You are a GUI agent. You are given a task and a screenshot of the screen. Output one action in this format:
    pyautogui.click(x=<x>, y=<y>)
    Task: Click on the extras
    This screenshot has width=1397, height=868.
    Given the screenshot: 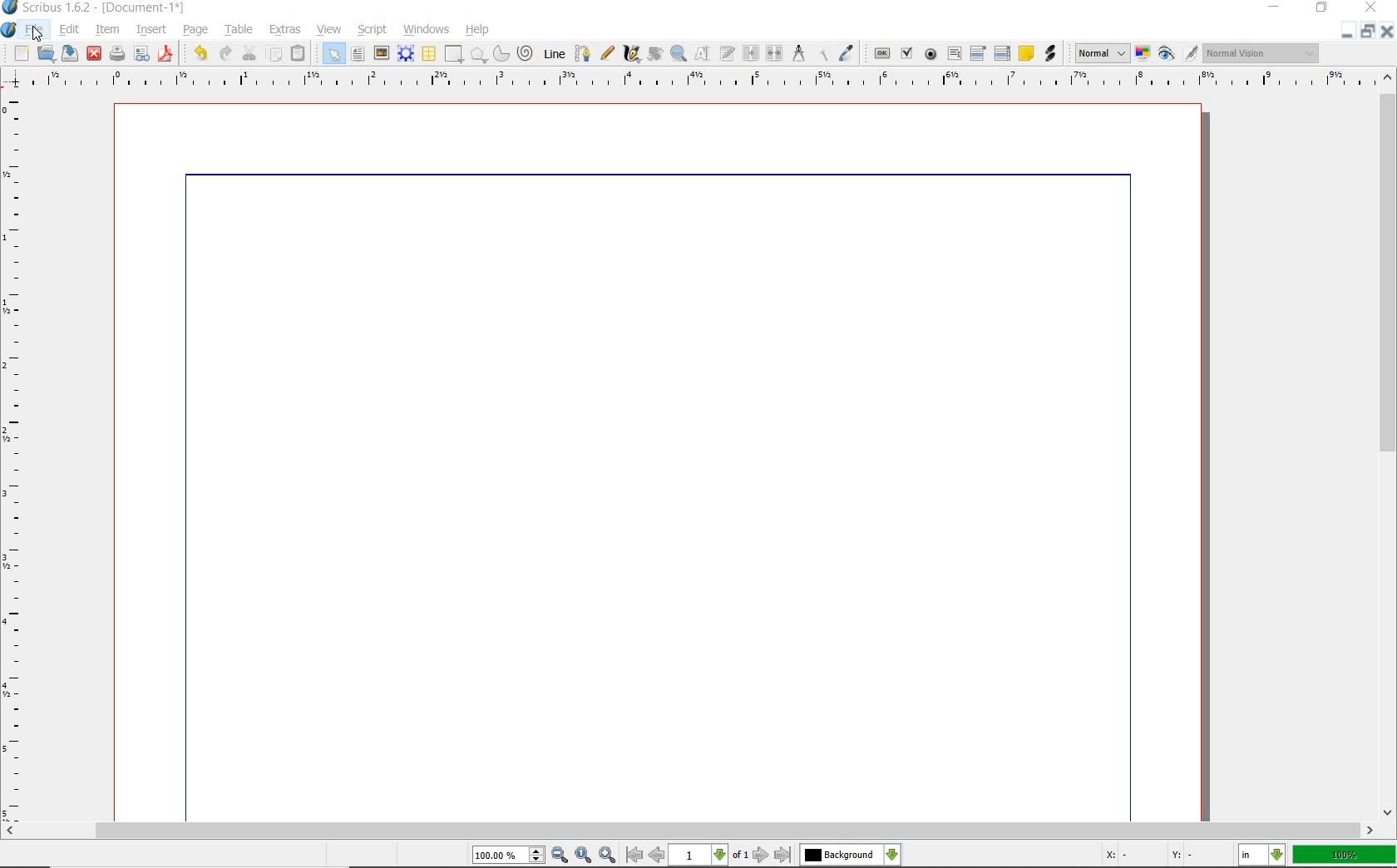 What is the action you would take?
    pyautogui.click(x=286, y=30)
    